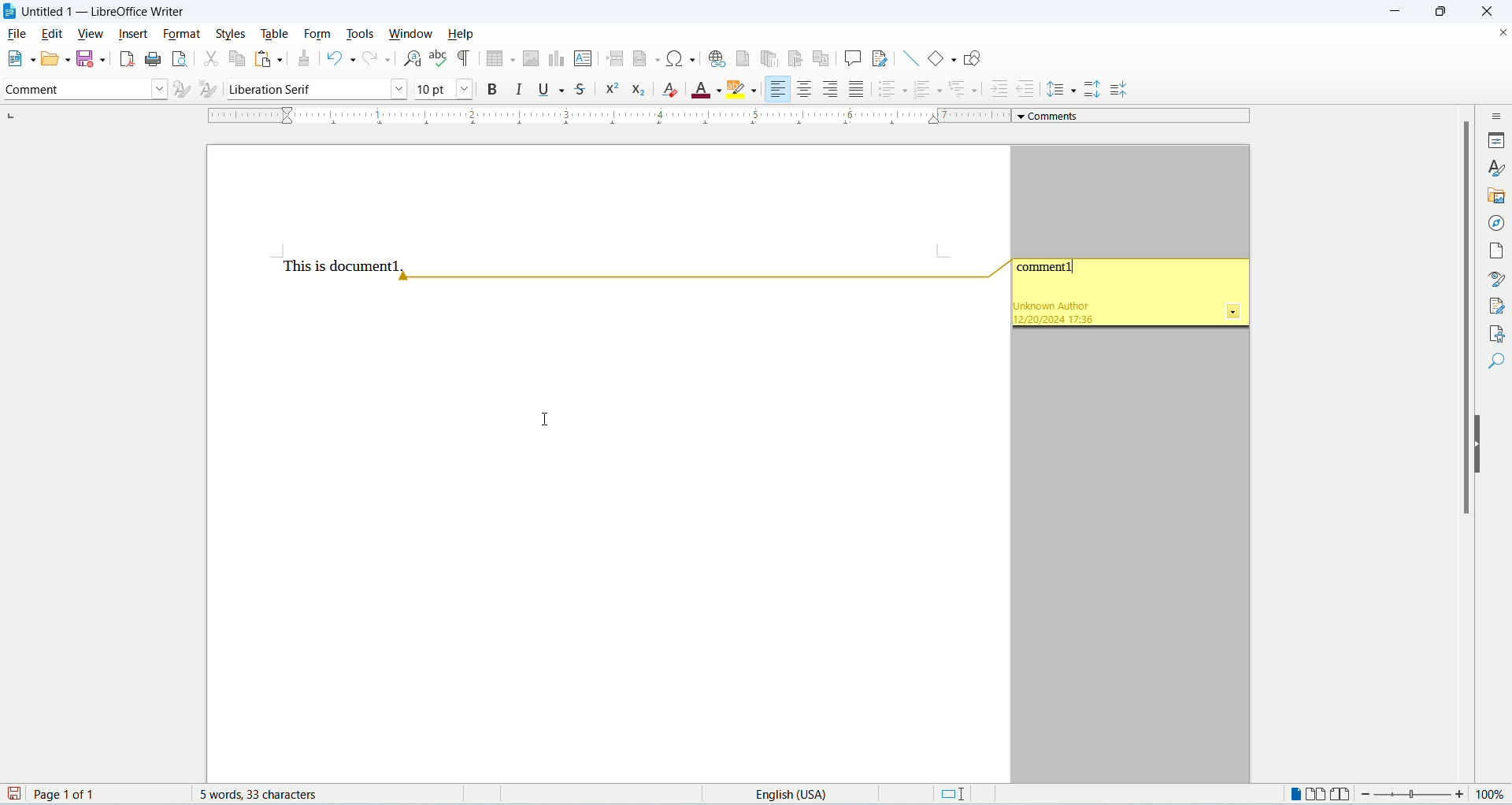  Describe the element at coordinates (361, 34) in the screenshot. I see `tools` at that location.